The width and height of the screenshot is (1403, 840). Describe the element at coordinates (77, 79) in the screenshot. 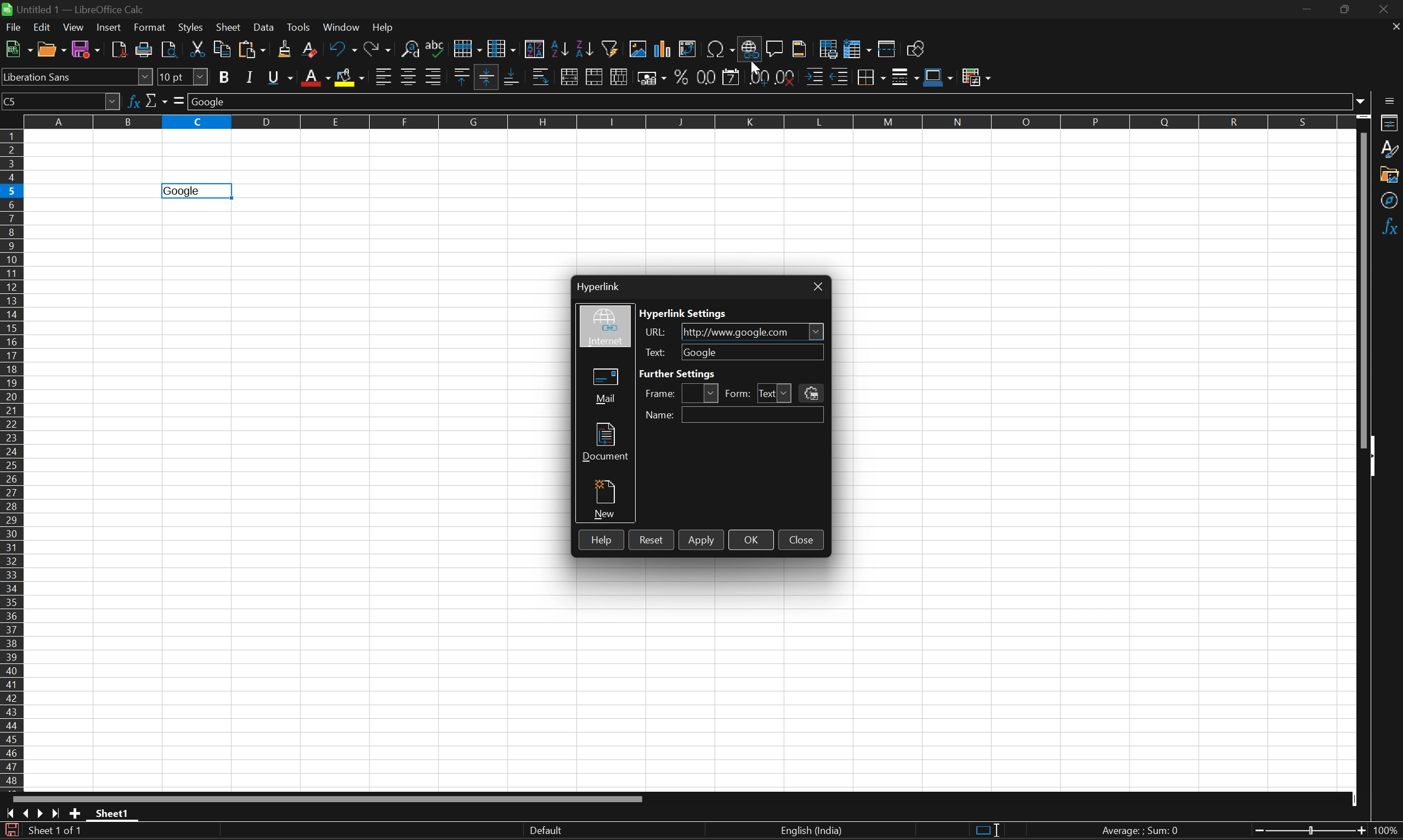

I see `Font name` at that location.